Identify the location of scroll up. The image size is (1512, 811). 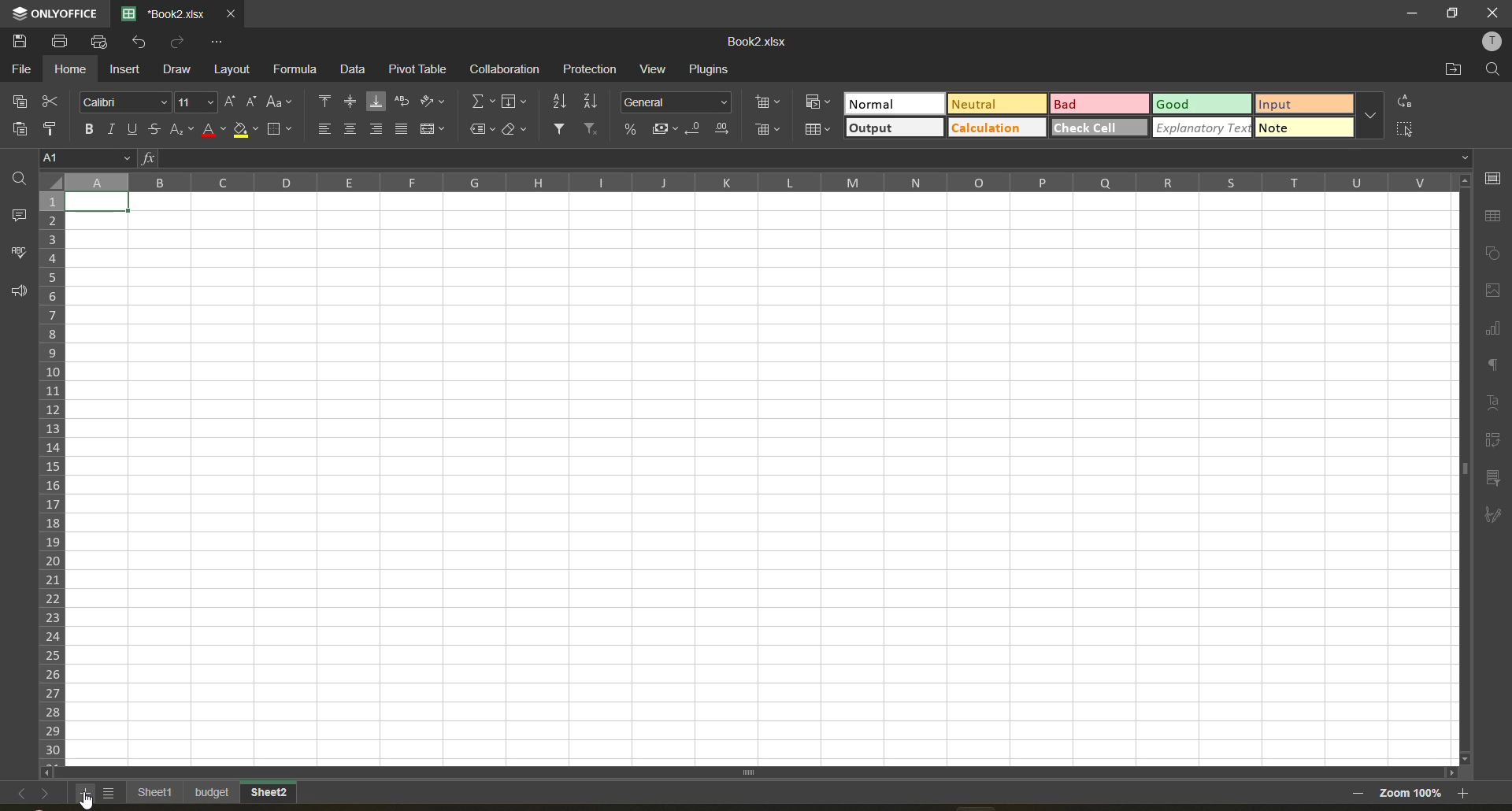
(1460, 180).